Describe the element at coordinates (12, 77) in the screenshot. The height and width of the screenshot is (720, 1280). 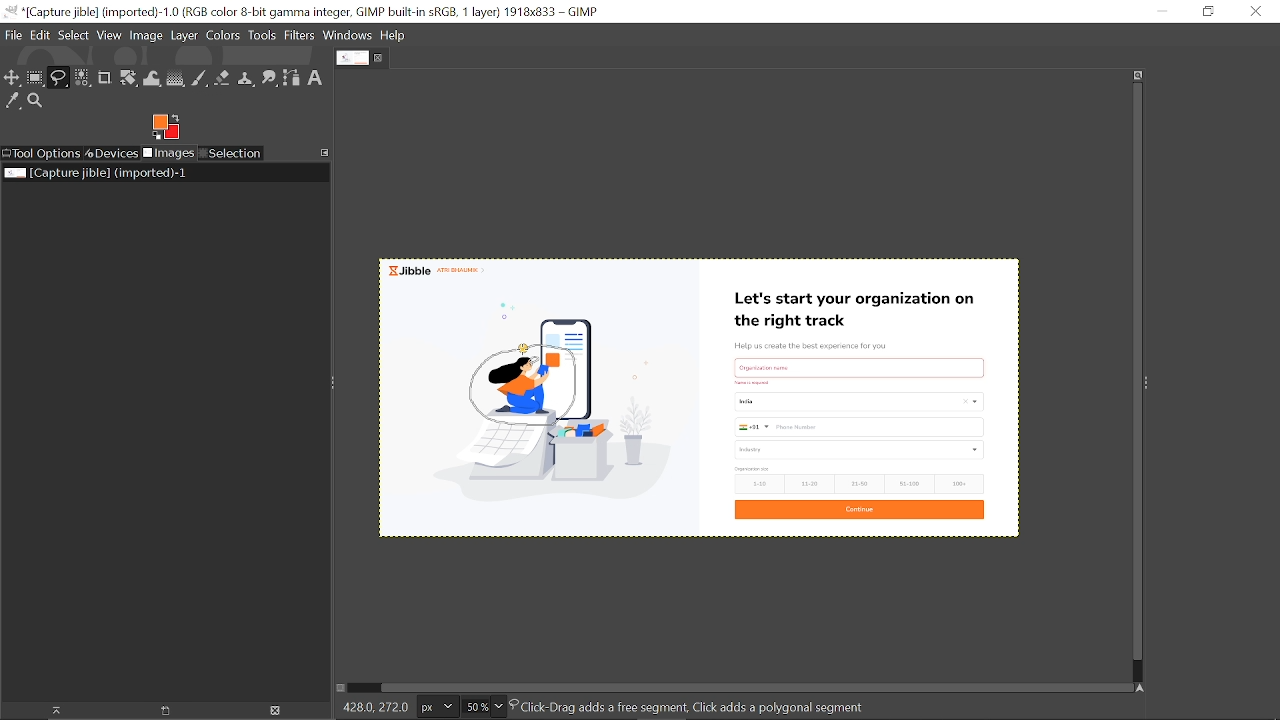
I see `Move tool` at that location.